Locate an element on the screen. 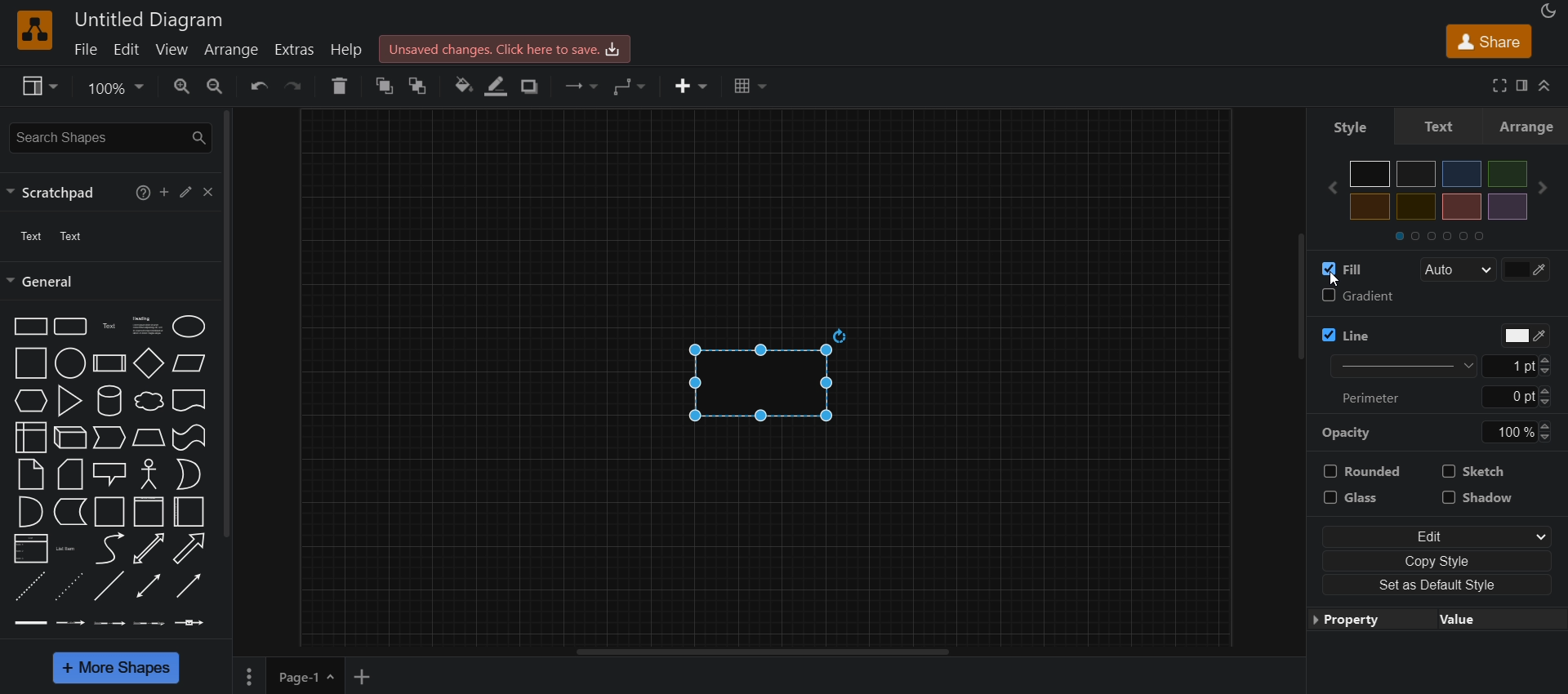 Image resolution: width=1568 pixels, height=694 pixels. current opacity is located at coordinates (1510, 433).